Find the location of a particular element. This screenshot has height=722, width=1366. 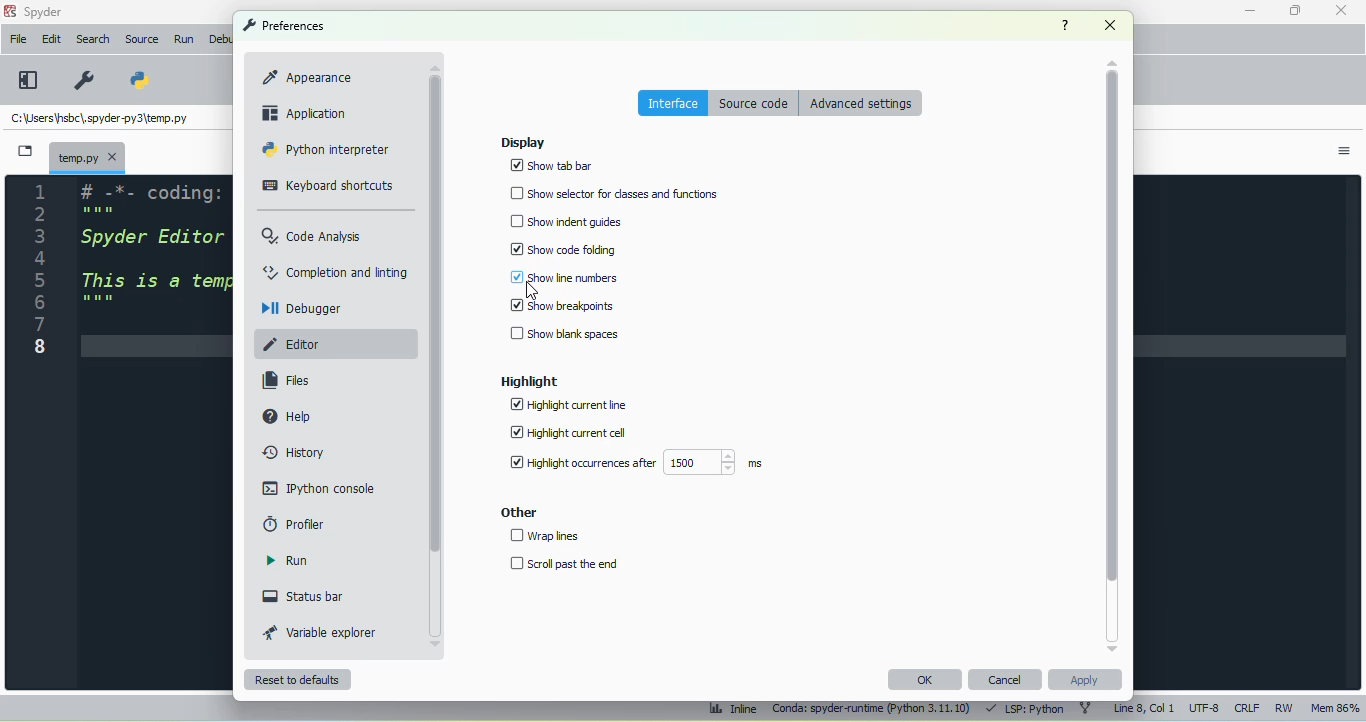

run is located at coordinates (186, 40).